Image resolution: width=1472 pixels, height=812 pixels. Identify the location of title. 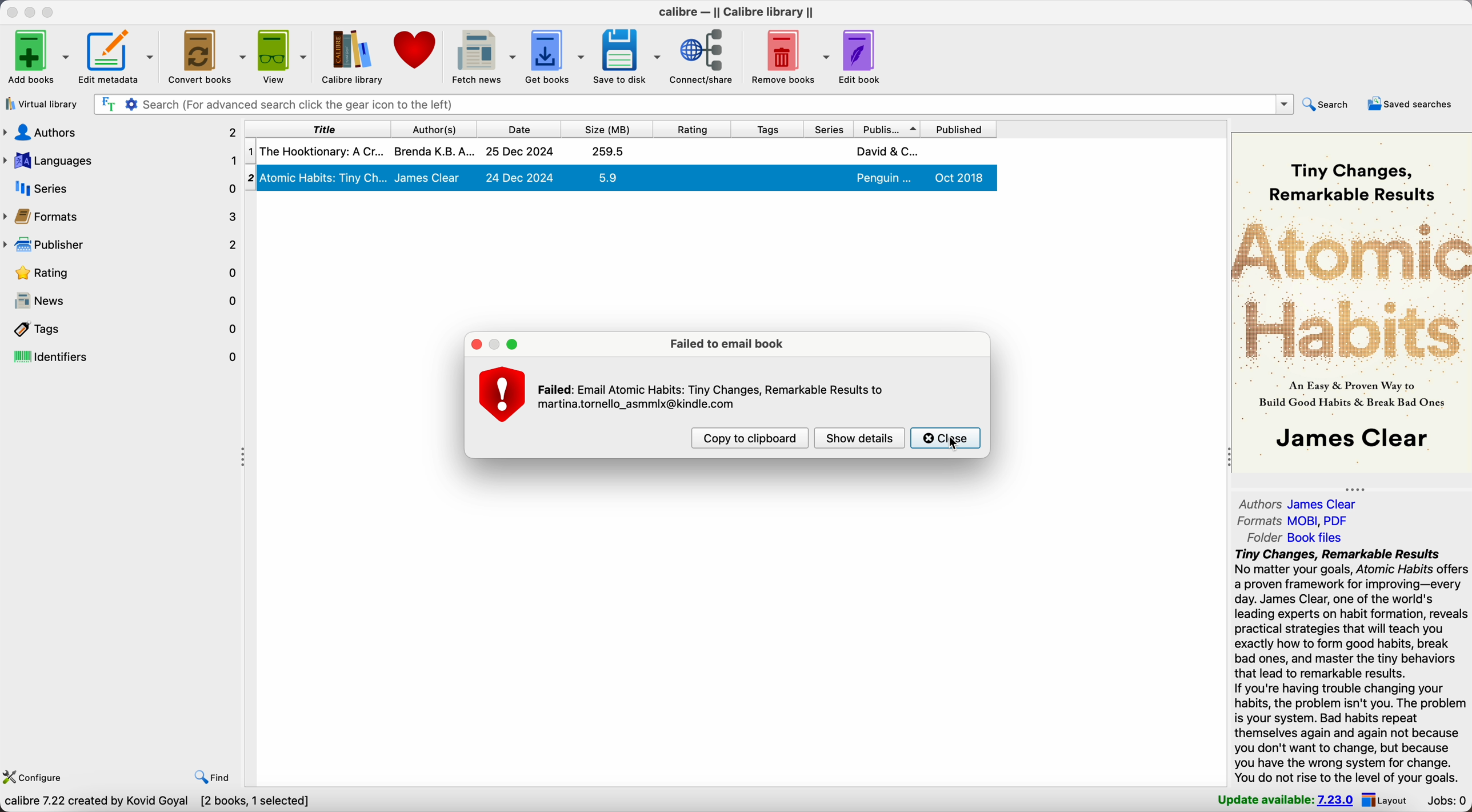
(315, 128).